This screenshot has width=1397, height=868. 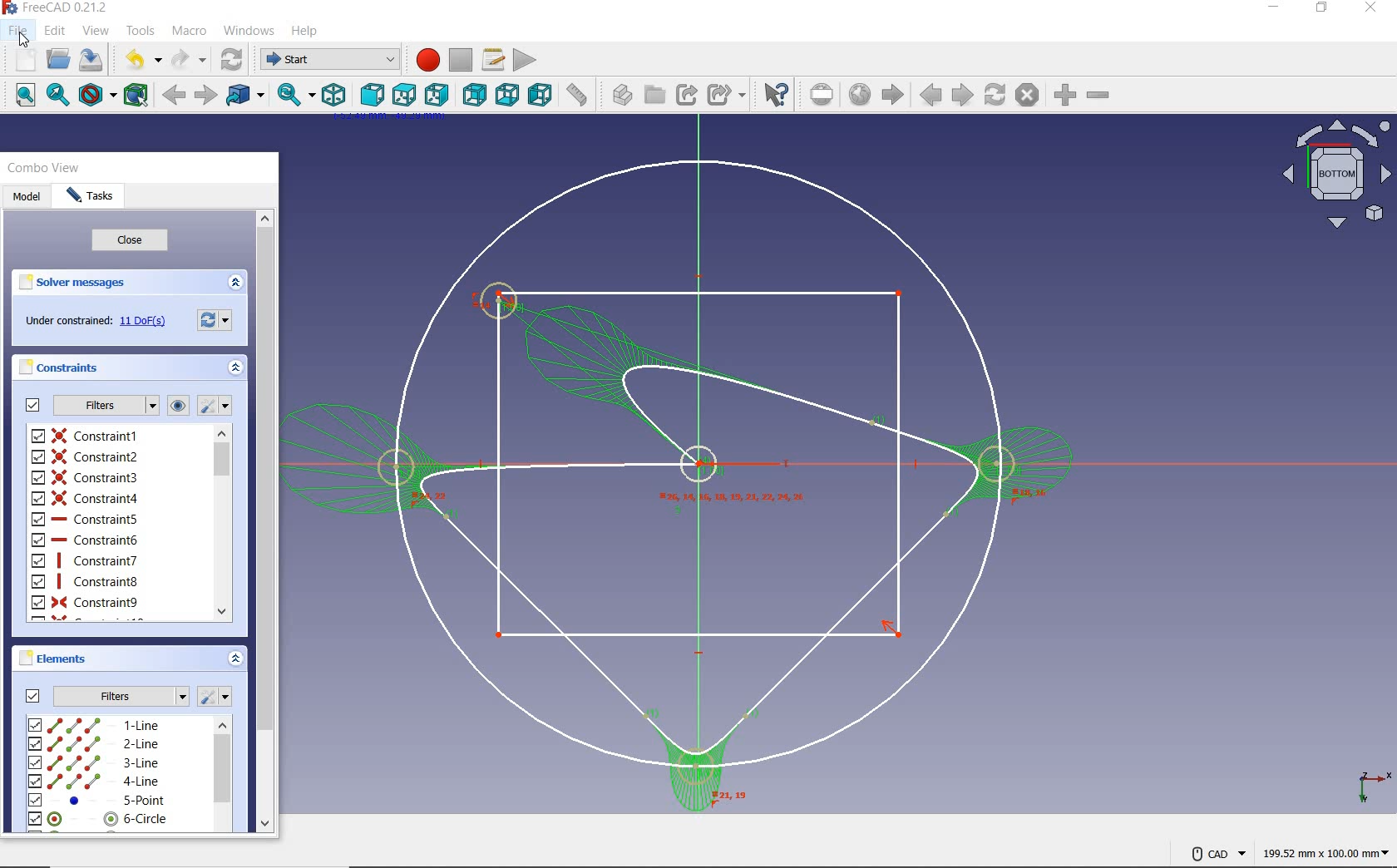 I want to click on 1-line, so click(x=95, y=724).